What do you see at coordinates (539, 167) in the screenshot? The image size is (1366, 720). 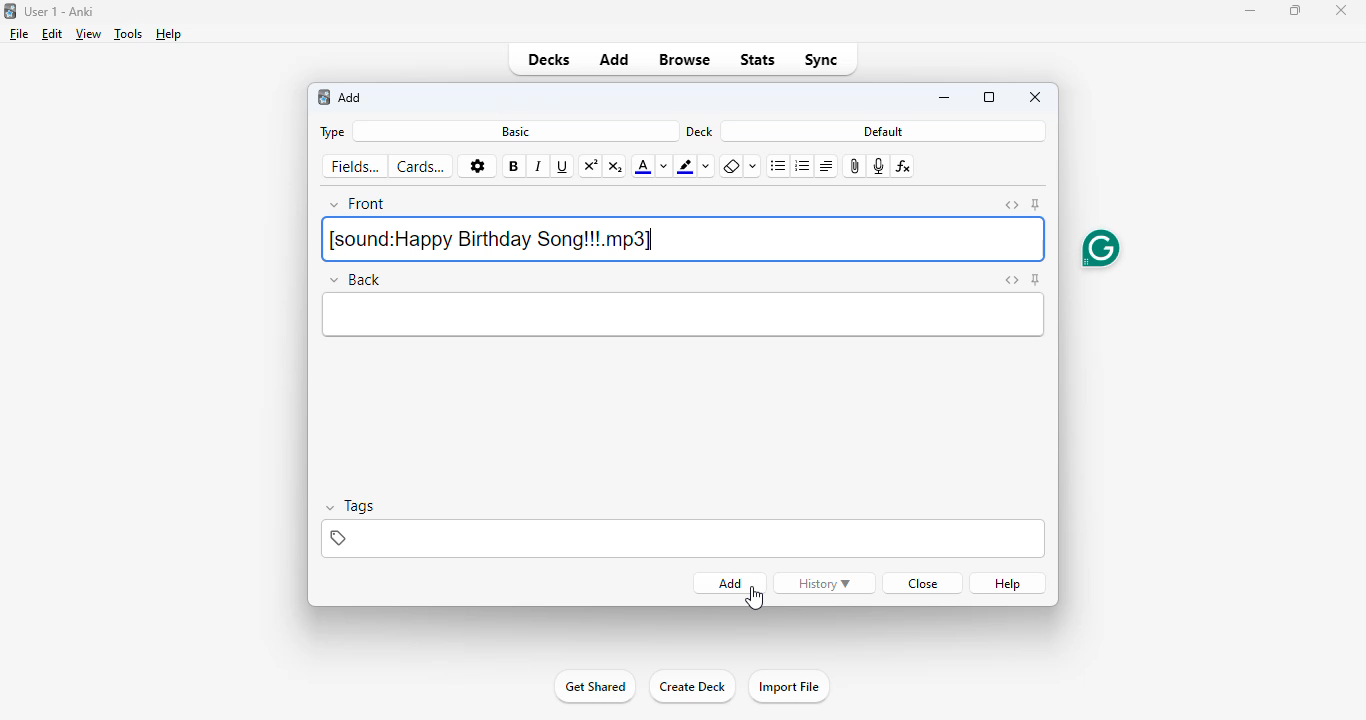 I see `italic` at bounding box center [539, 167].